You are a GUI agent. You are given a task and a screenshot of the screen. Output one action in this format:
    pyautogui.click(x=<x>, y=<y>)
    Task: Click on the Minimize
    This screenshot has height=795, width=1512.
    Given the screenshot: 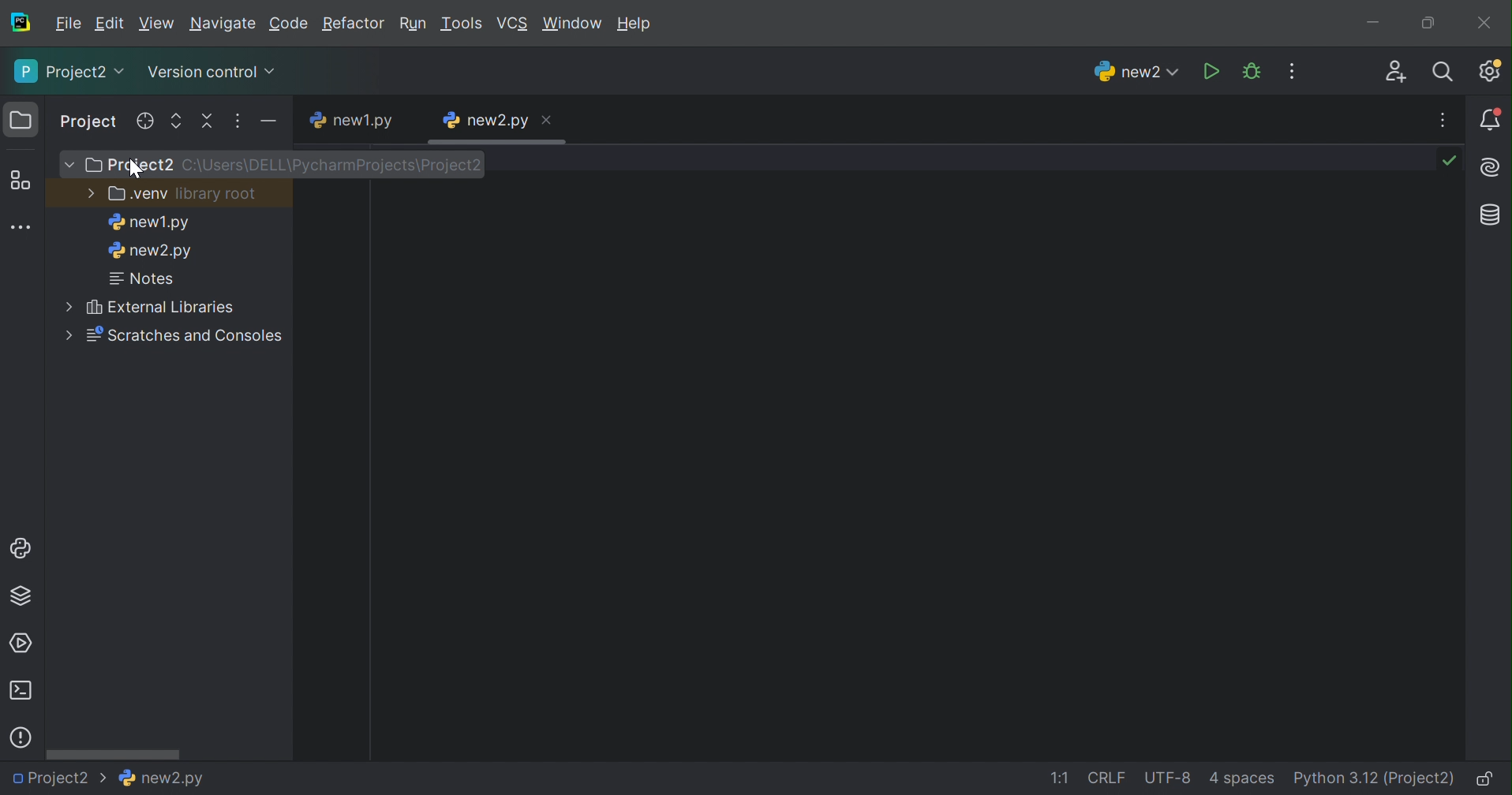 What is the action you would take?
    pyautogui.click(x=1374, y=18)
    